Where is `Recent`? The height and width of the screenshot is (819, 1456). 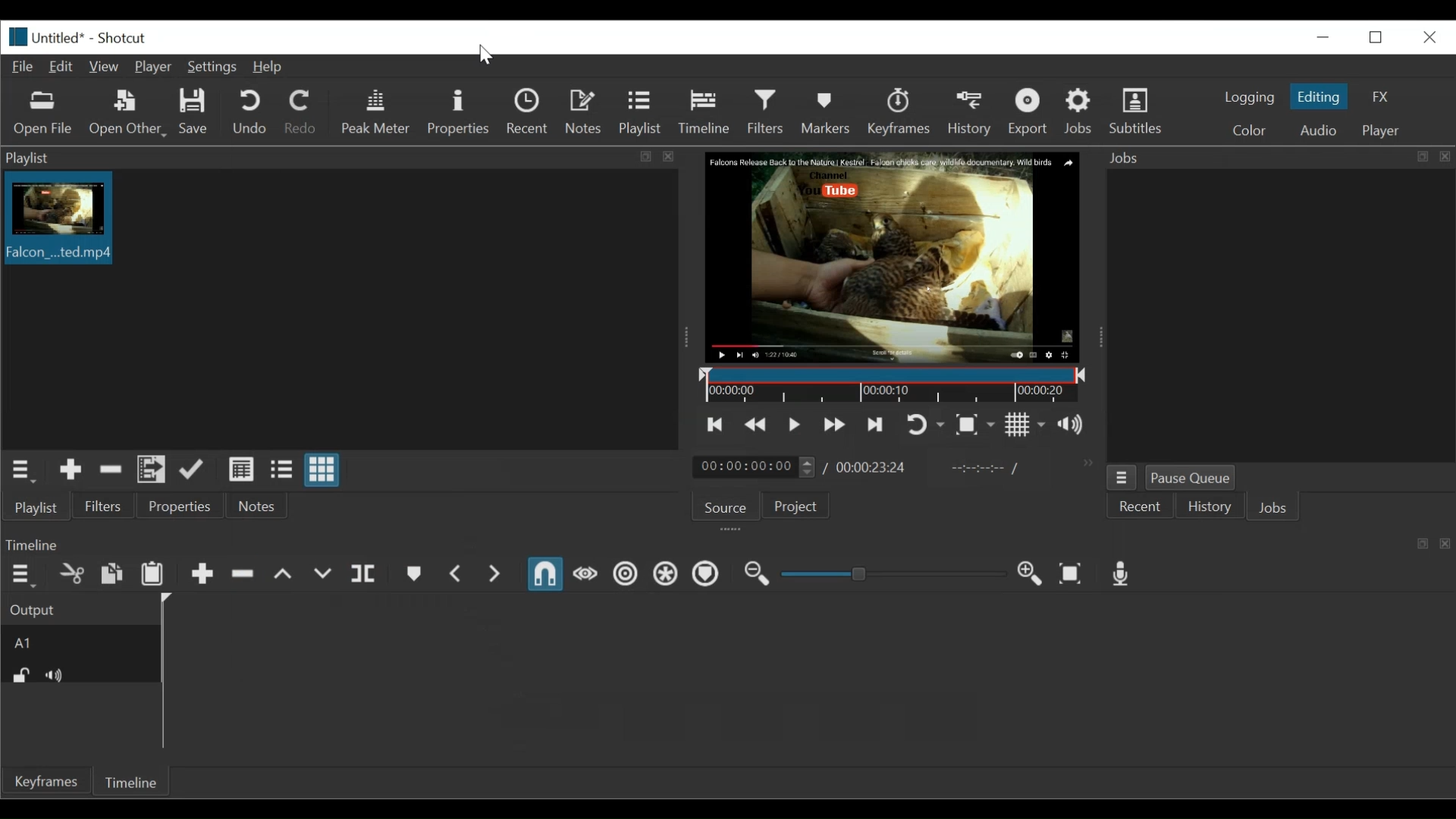 Recent is located at coordinates (529, 111).